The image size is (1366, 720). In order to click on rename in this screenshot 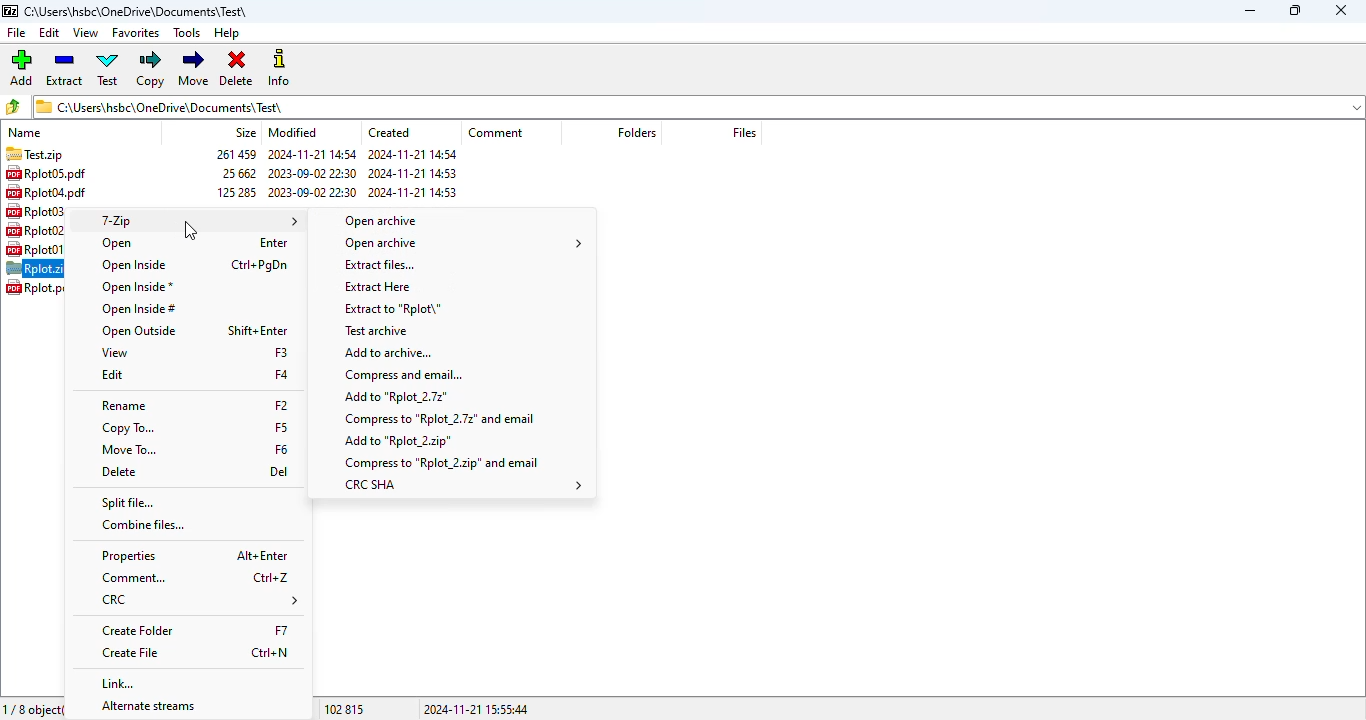, I will do `click(123, 406)`.